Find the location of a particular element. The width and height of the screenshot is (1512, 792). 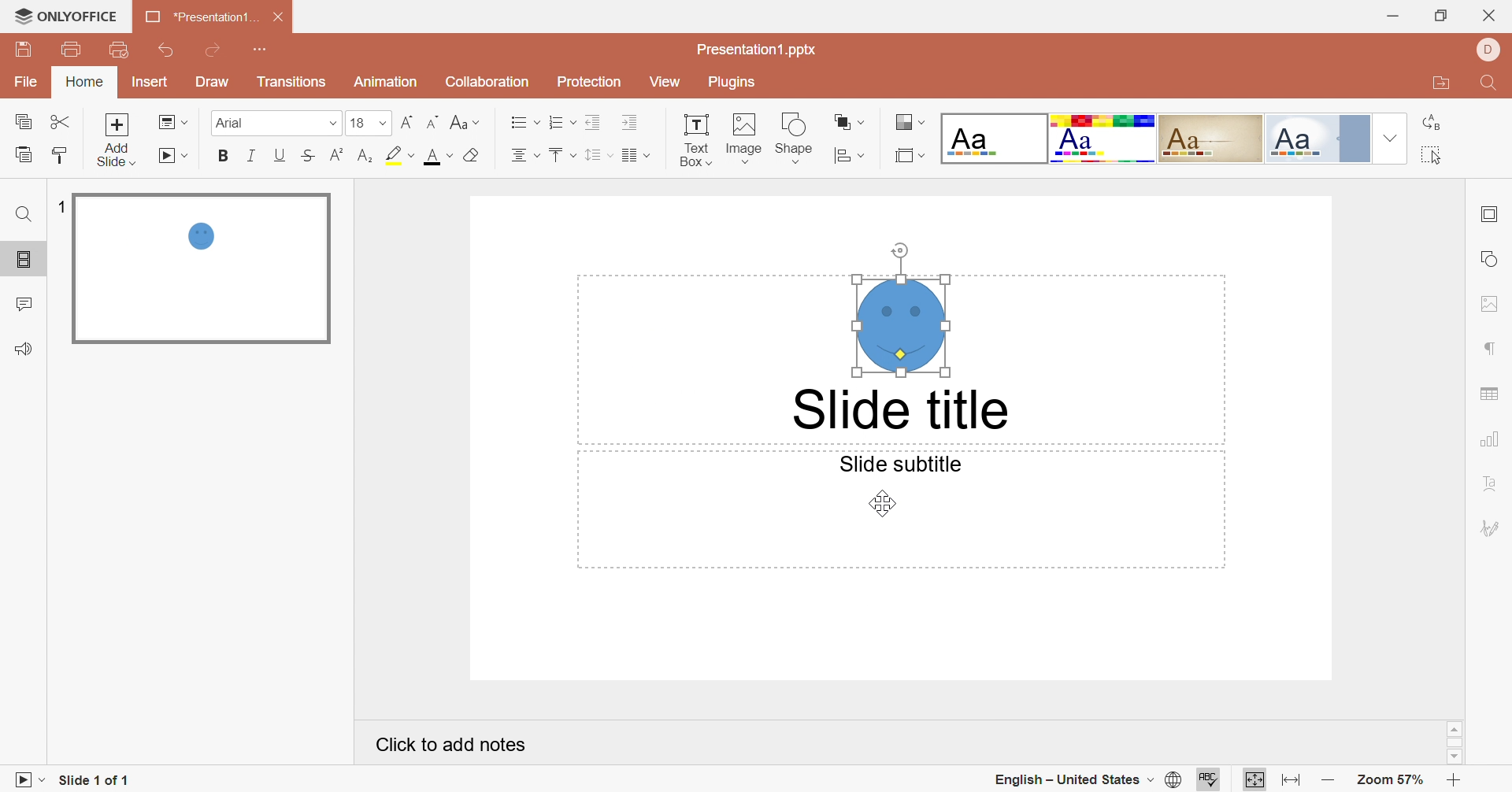

image settings is located at coordinates (1488, 303).